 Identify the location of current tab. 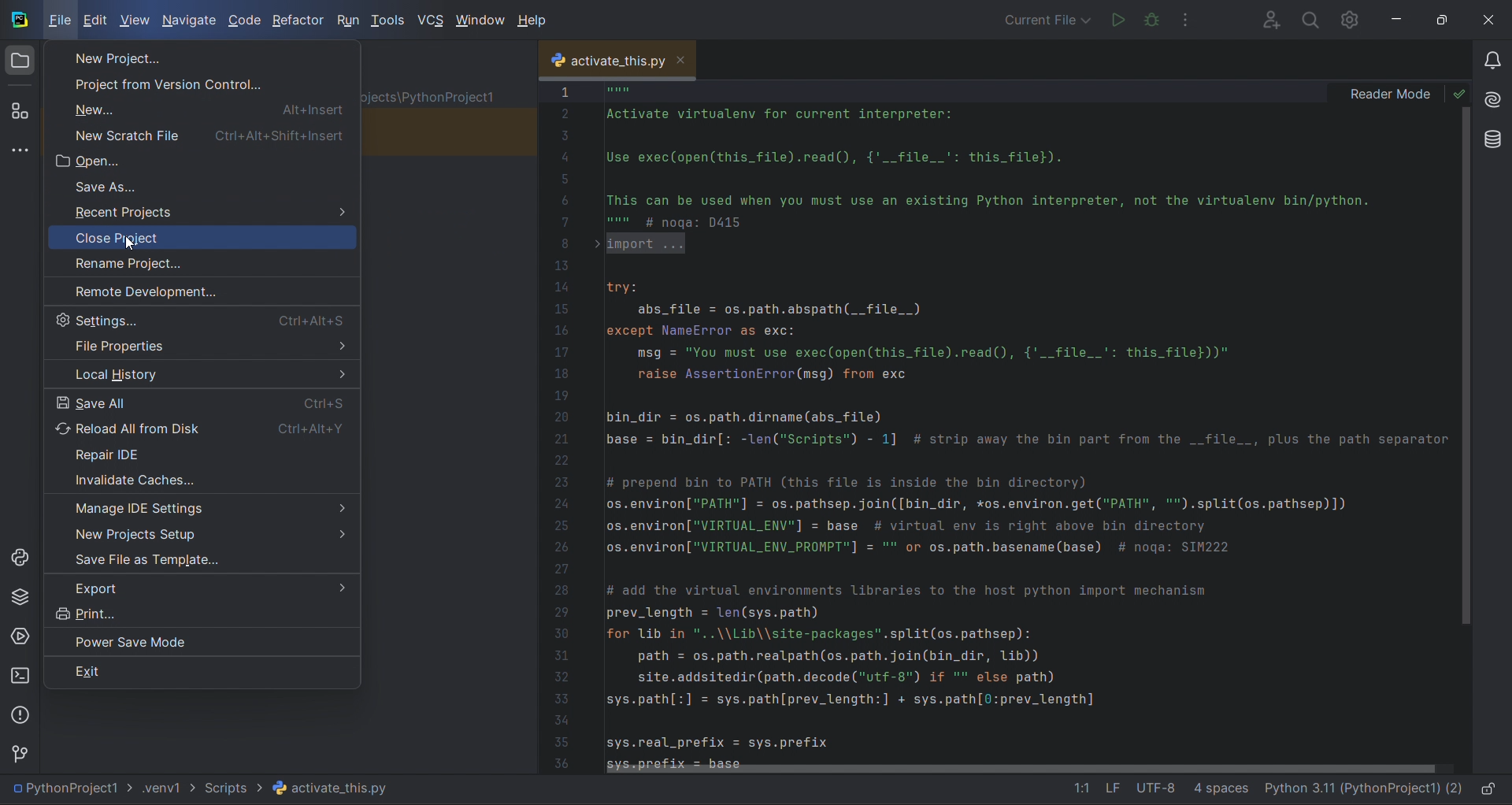
(597, 61).